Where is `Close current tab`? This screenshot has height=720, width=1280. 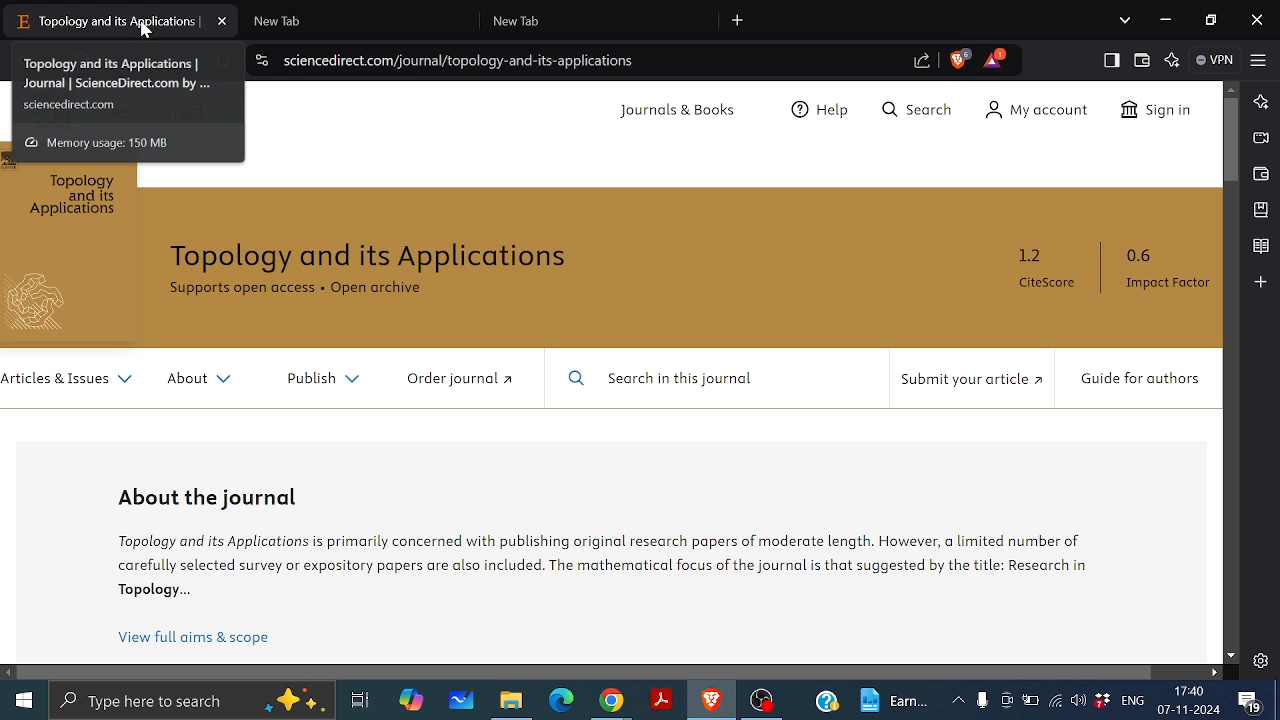 Close current tab is located at coordinates (222, 21).